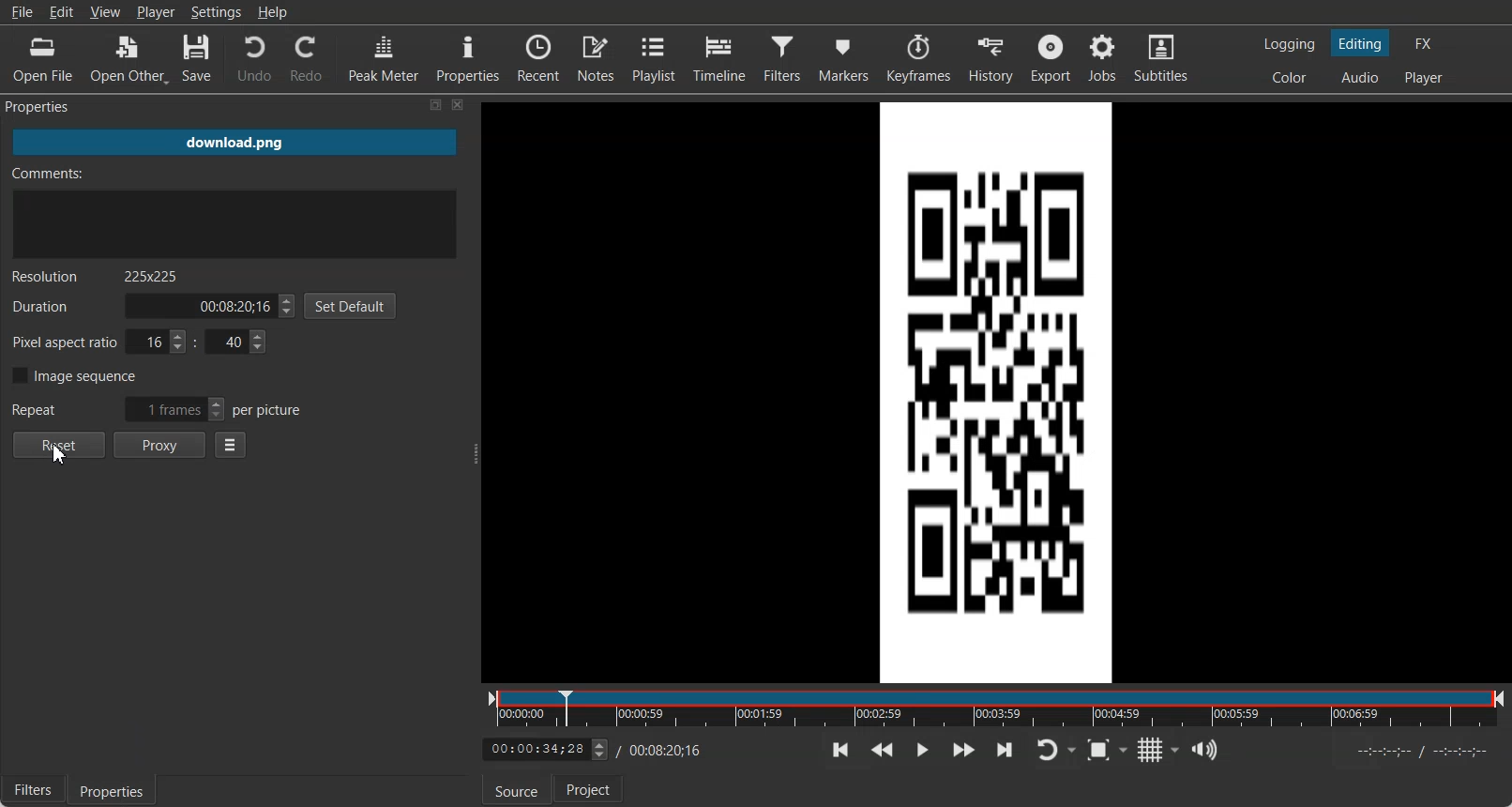 Image resolution: width=1512 pixels, height=807 pixels. I want to click on Adjust the Window, so click(475, 452).